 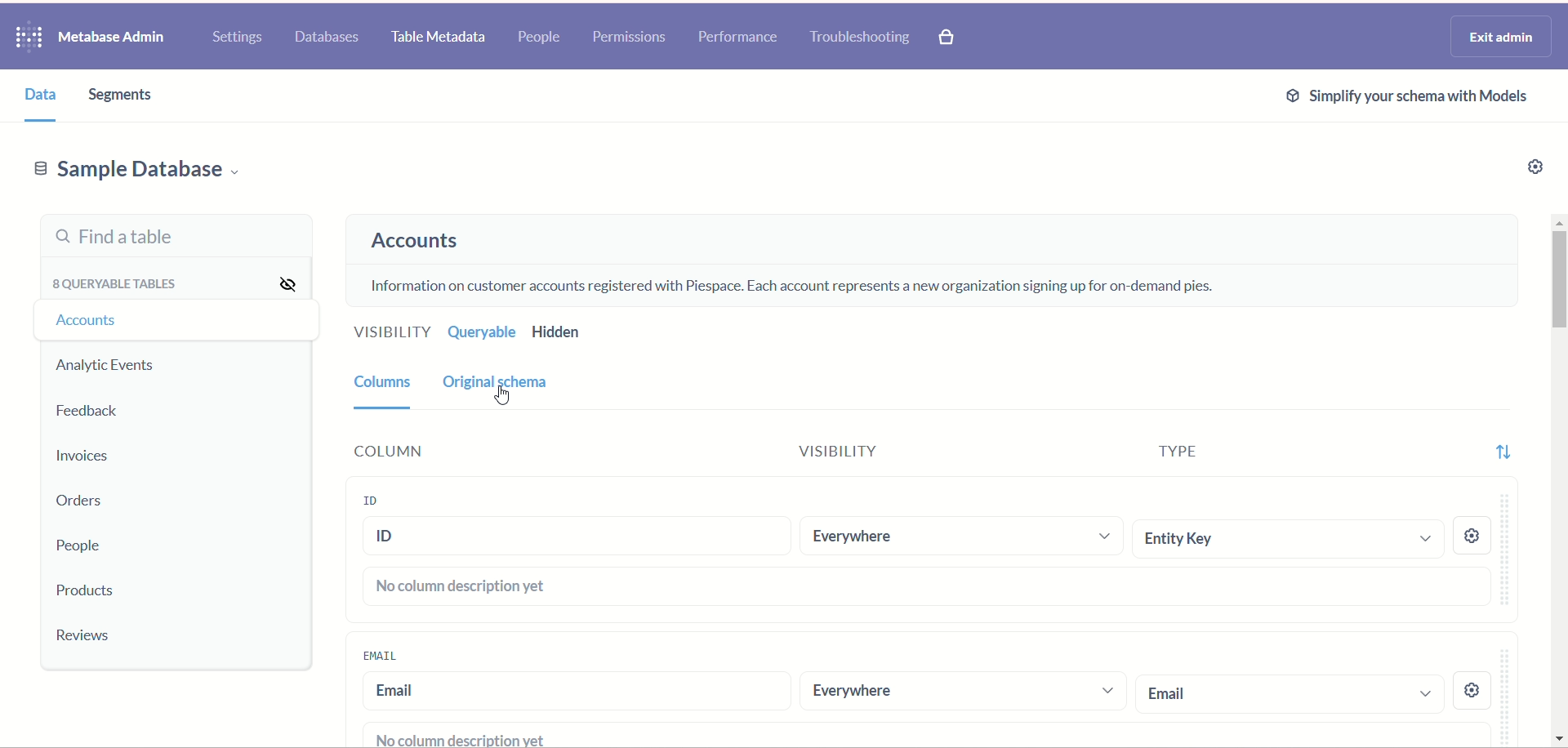 I want to click on visibility, so click(x=839, y=451).